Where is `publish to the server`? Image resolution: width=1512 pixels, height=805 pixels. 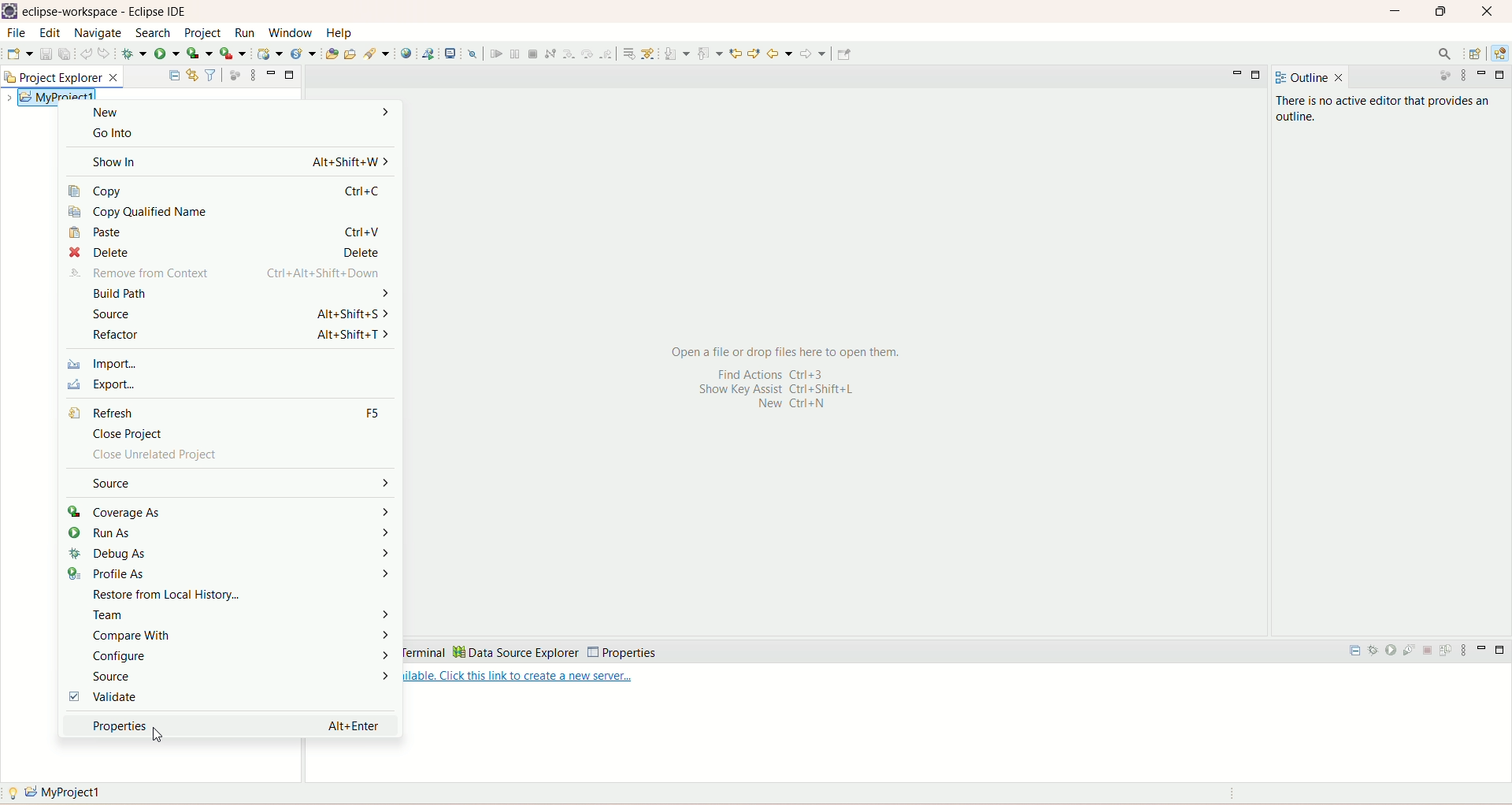
publish to the server is located at coordinates (1448, 653).